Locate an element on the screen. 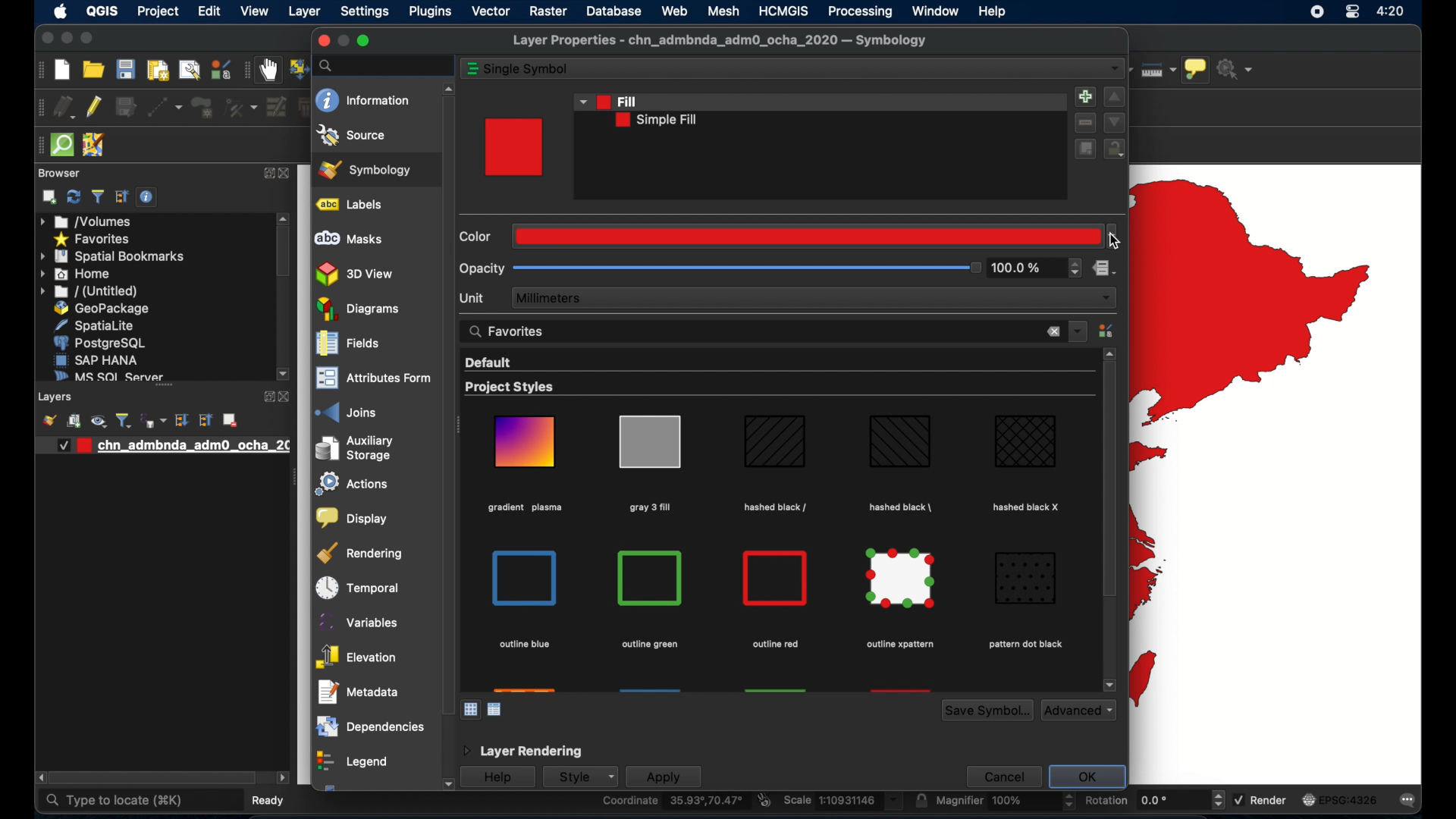 The height and width of the screenshot is (819, 1456). drag handle is located at coordinates (293, 479).